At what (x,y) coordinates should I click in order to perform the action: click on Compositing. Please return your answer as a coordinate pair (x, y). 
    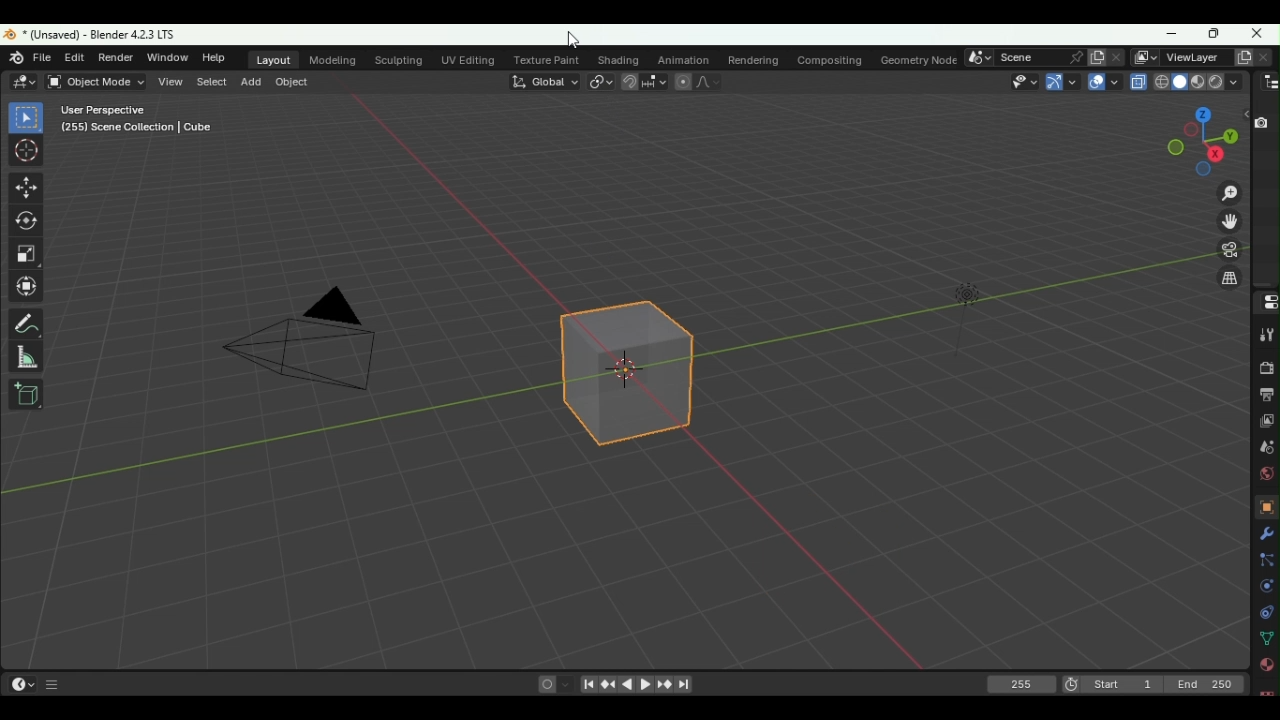
    Looking at the image, I should click on (829, 59).